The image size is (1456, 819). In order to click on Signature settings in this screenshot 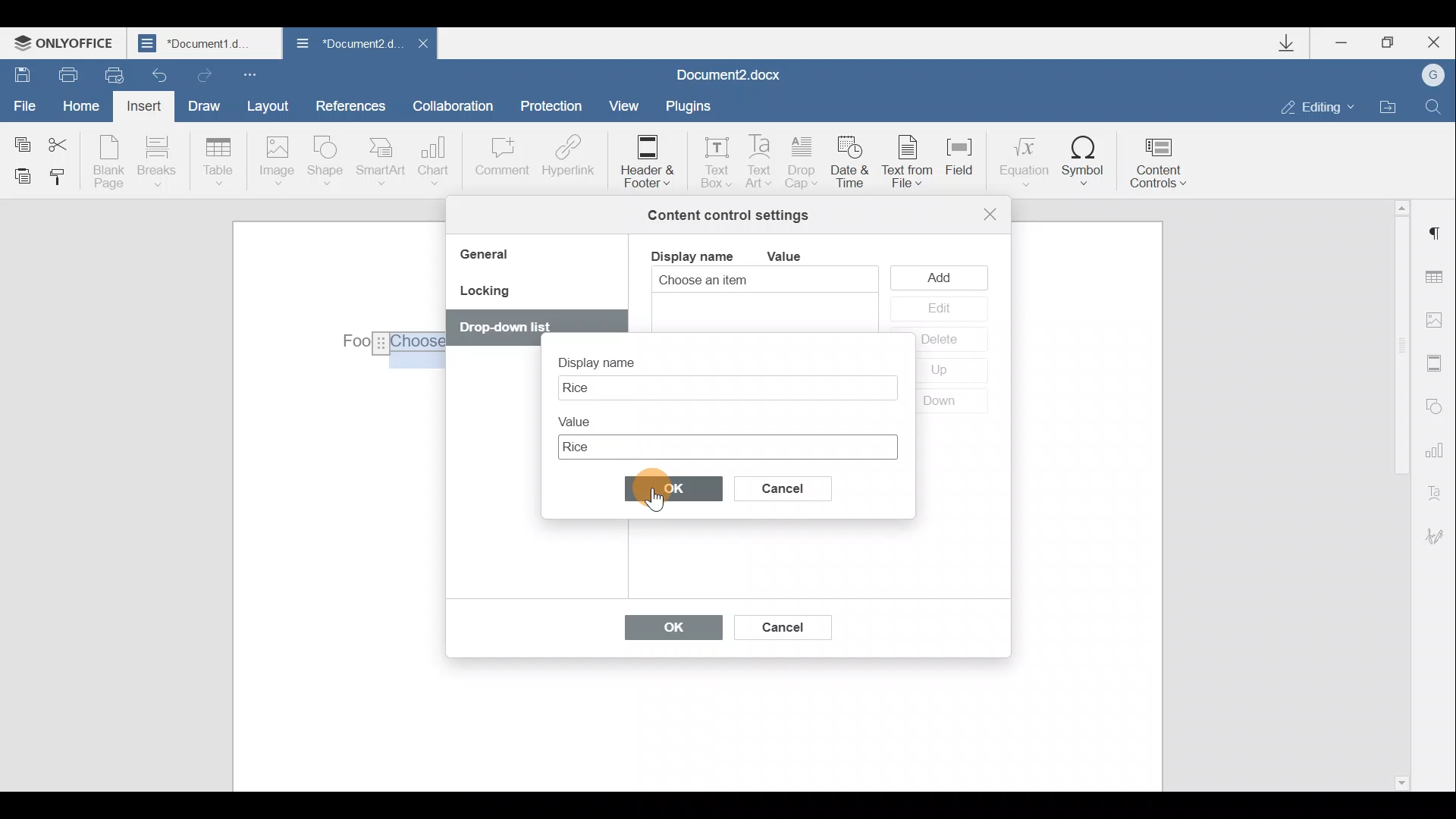, I will do `click(1441, 536)`.